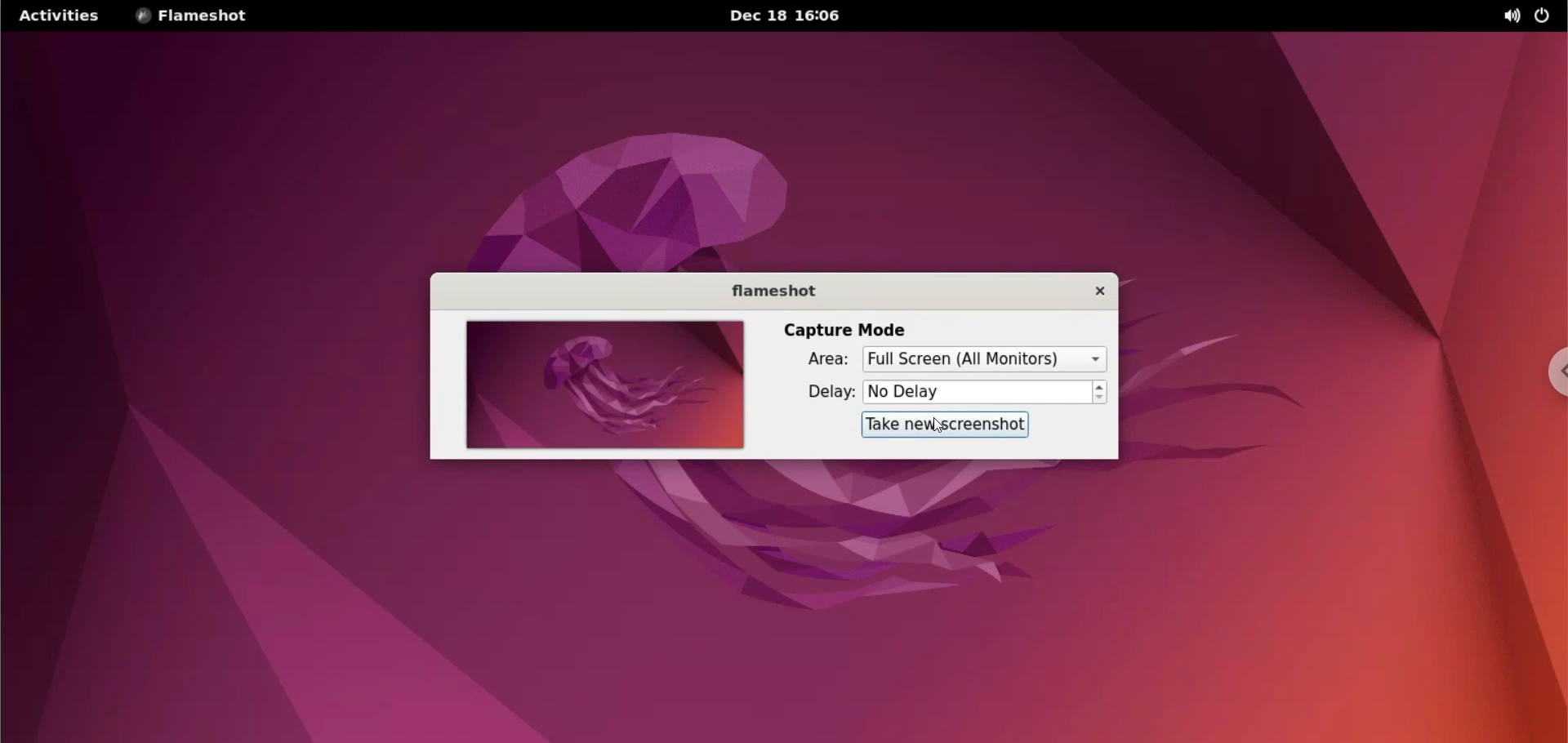 Image resolution: width=1568 pixels, height=743 pixels. What do you see at coordinates (58, 16) in the screenshot?
I see `ACTIVITIES` at bounding box center [58, 16].